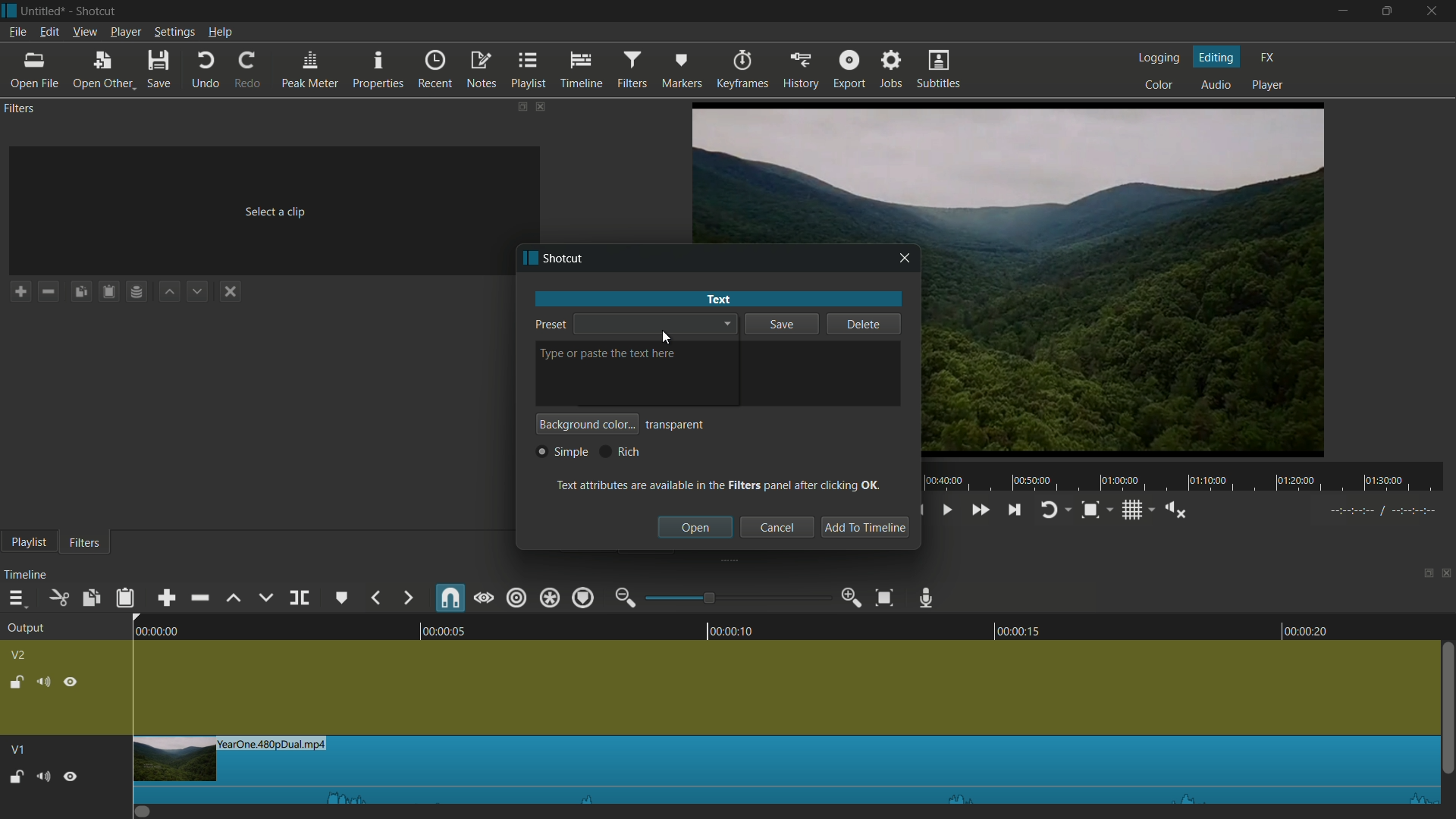 The width and height of the screenshot is (1456, 819). What do you see at coordinates (80, 293) in the screenshot?
I see `Copy` at bounding box center [80, 293].